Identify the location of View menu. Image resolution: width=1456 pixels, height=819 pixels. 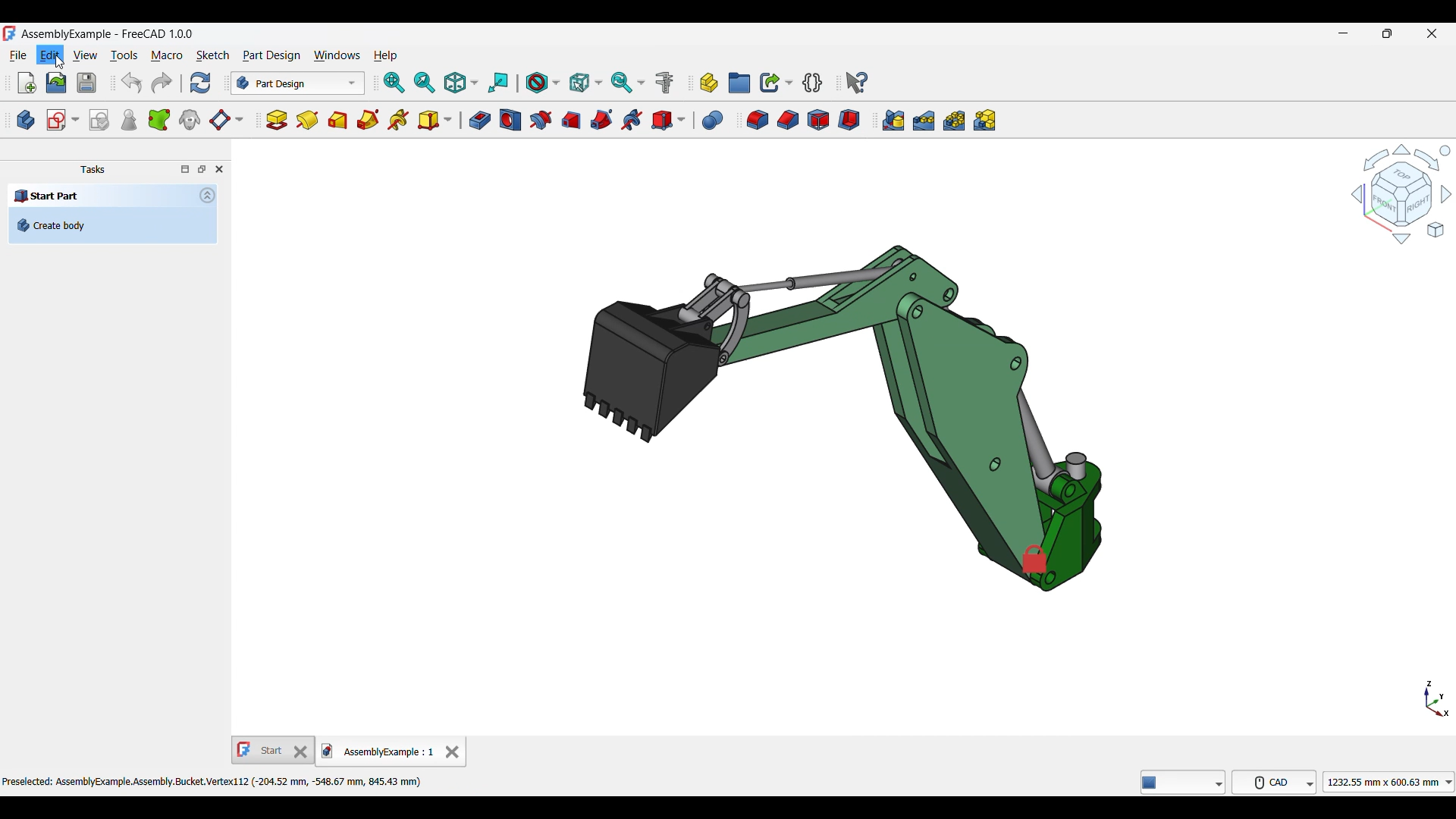
(85, 55).